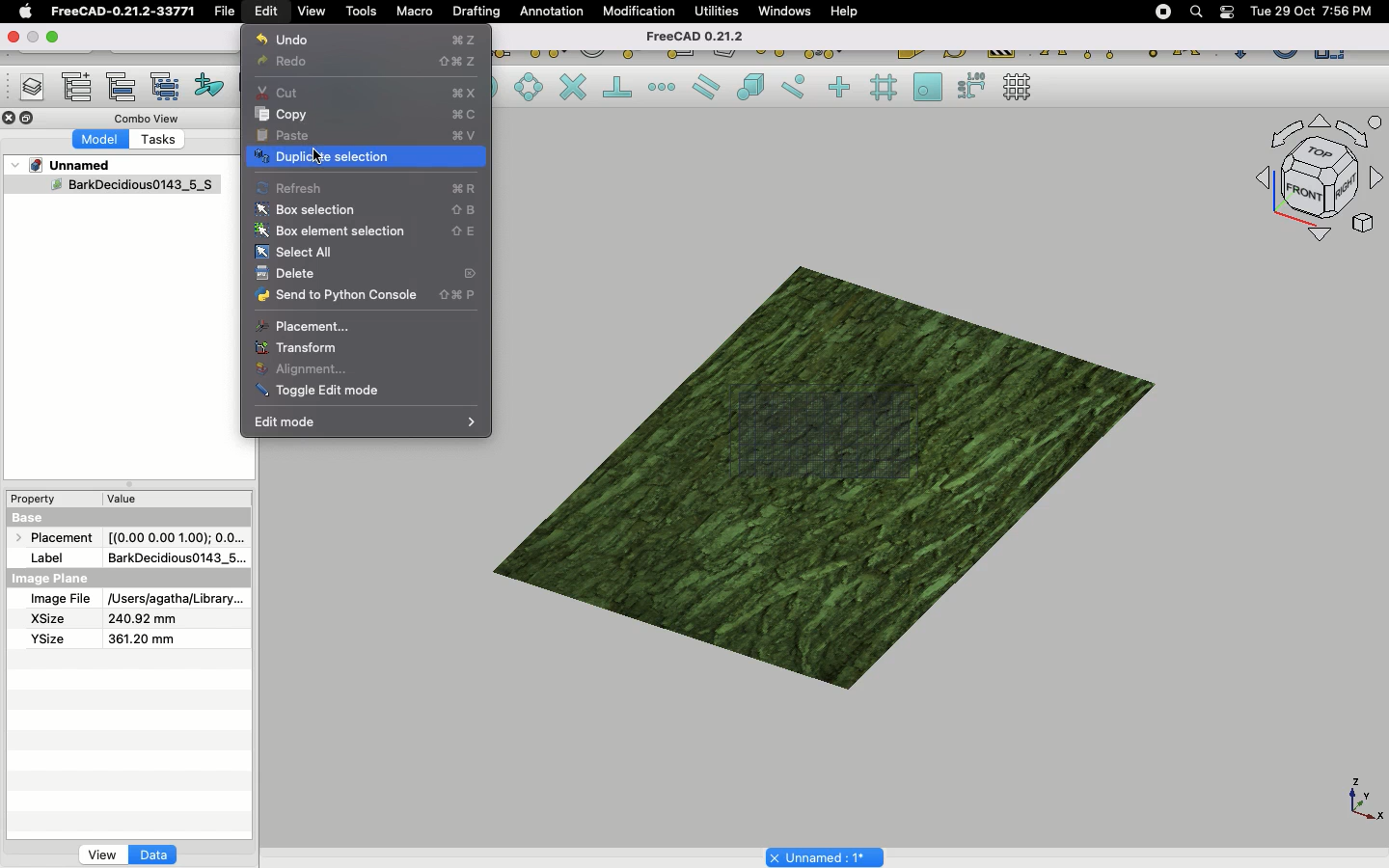 This screenshot has width=1389, height=868. I want to click on Project name, so click(827, 855).